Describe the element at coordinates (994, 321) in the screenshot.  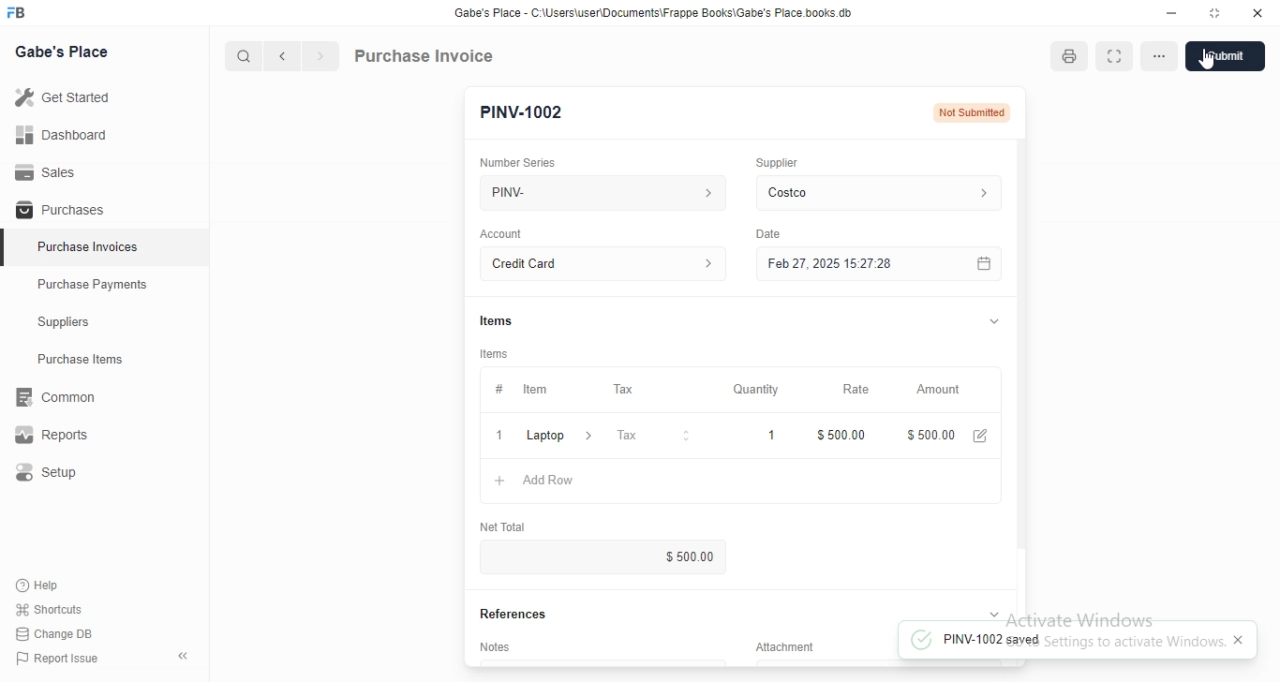
I see `Collapse` at that location.